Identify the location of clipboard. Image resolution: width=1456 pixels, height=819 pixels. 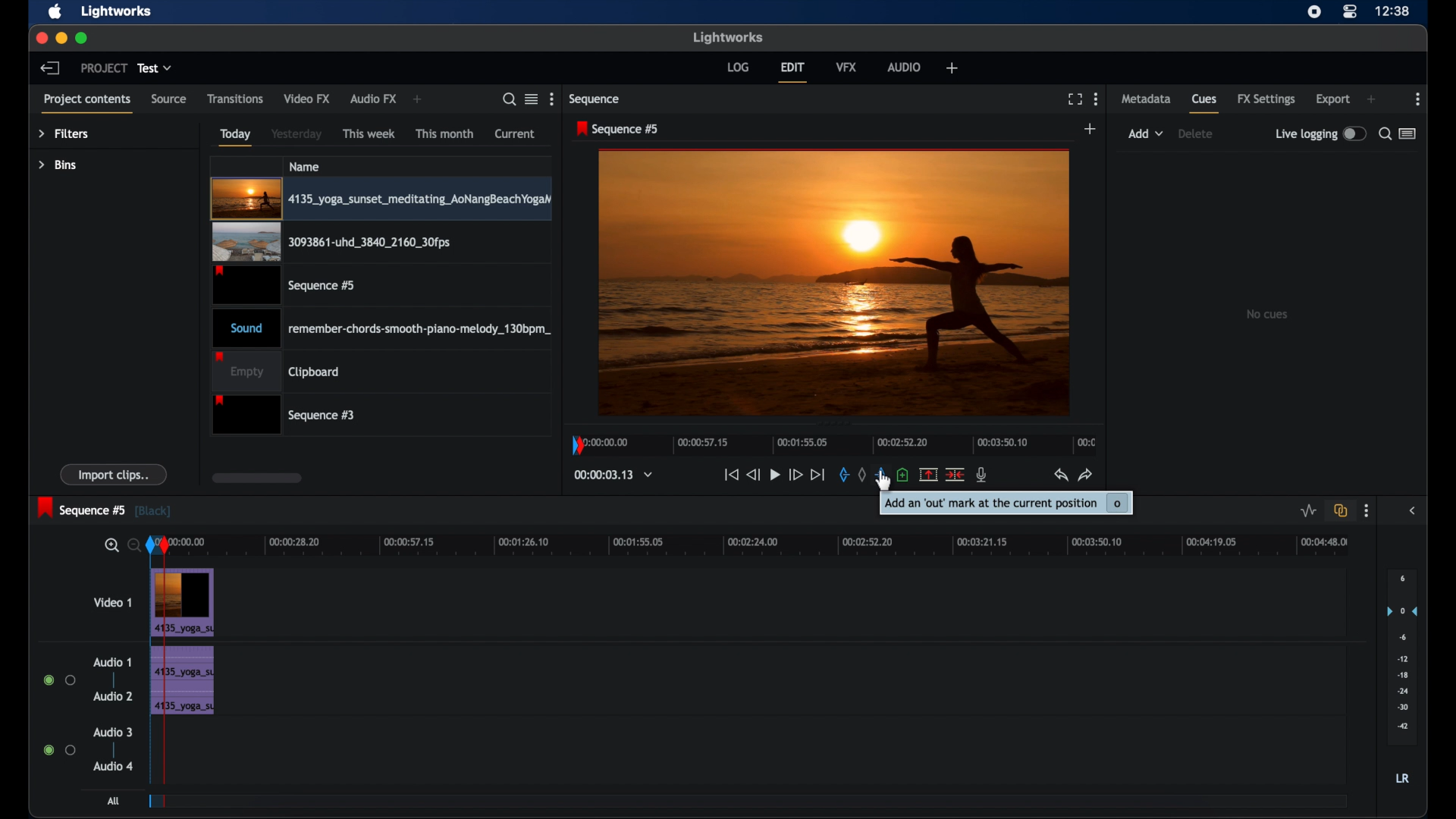
(281, 371).